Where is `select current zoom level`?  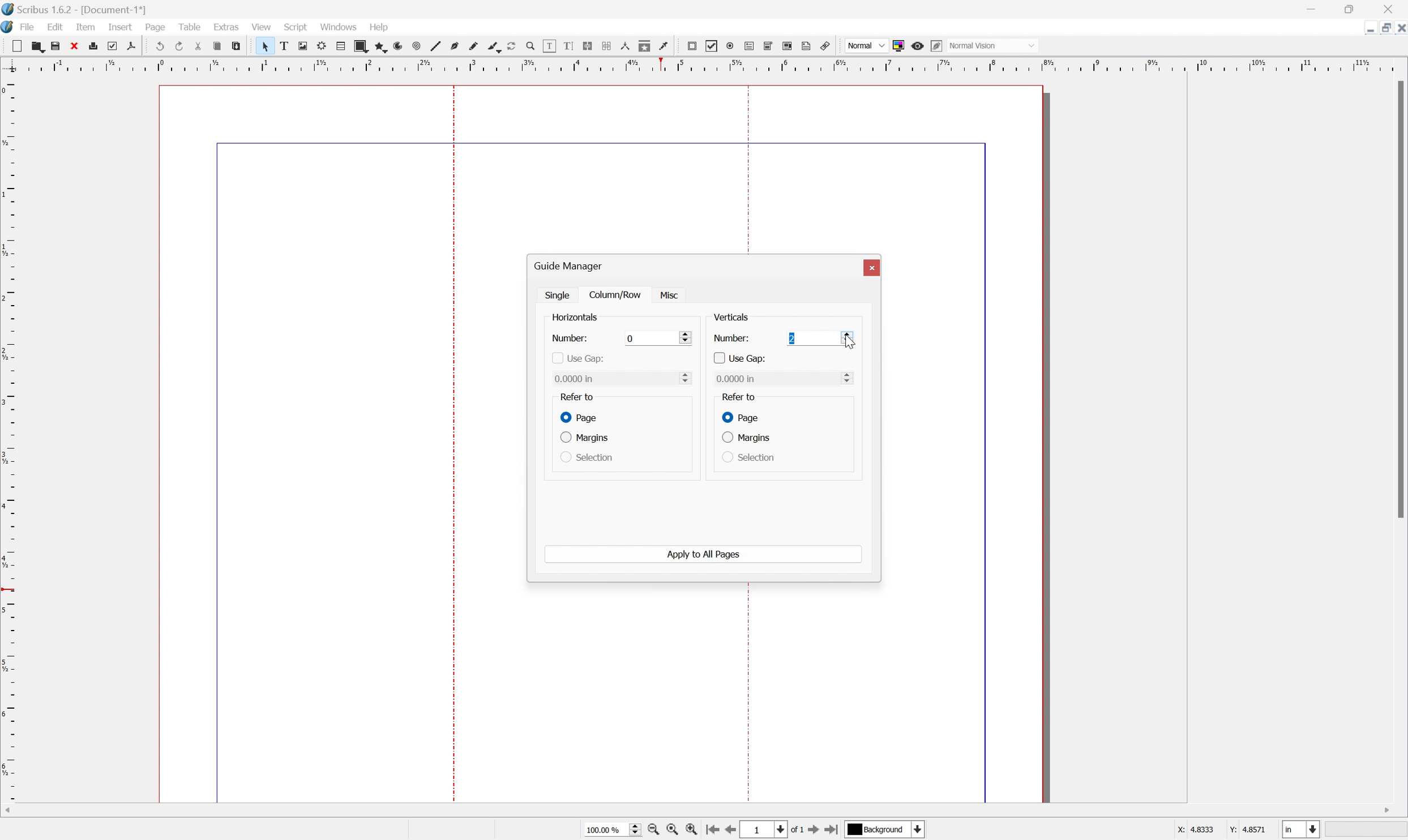 select current zoom level is located at coordinates (613, 830).